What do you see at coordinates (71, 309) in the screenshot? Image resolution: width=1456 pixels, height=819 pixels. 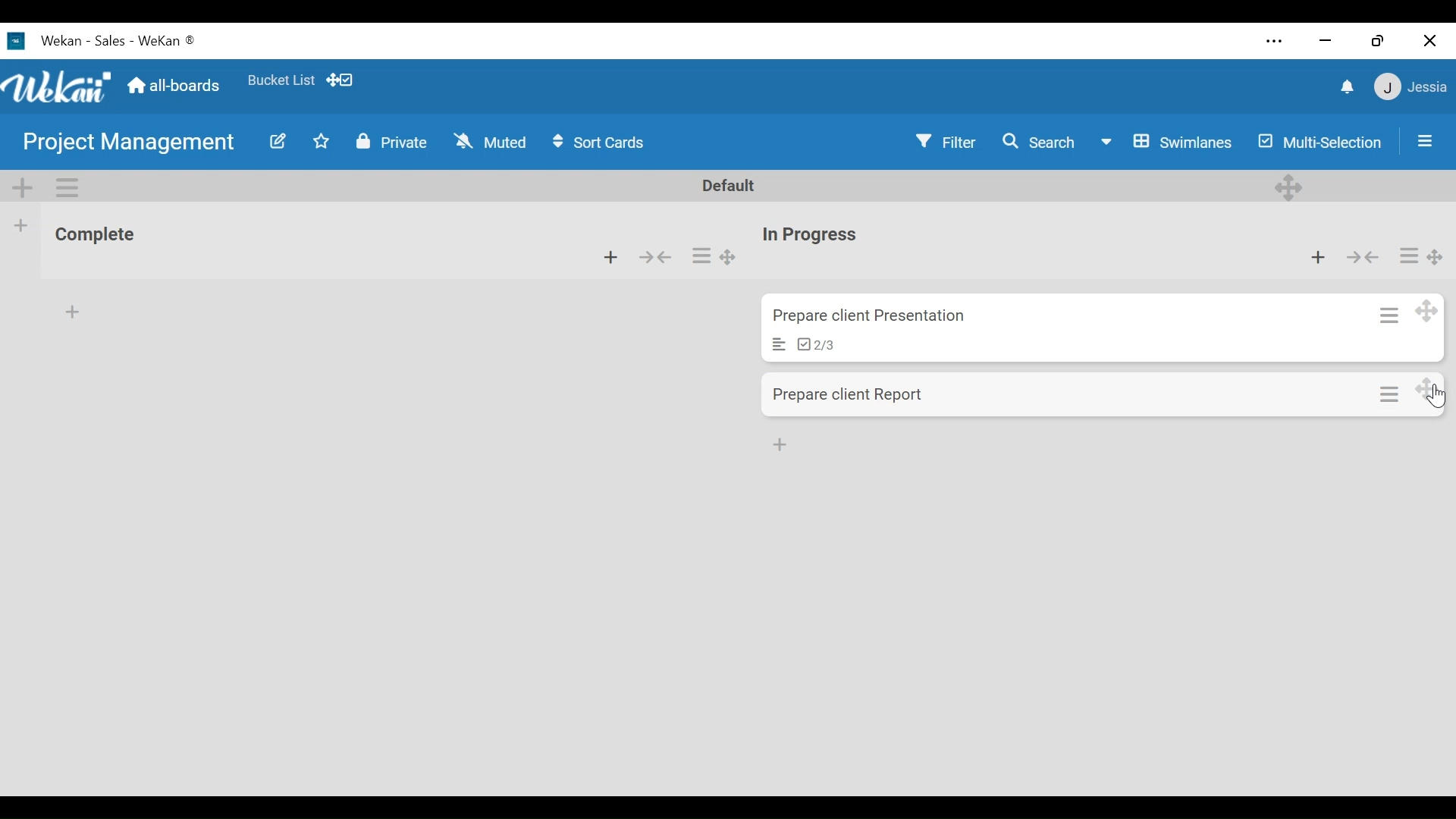 I see `Add card at the bottom of the list` at bounding box center [71, 309].